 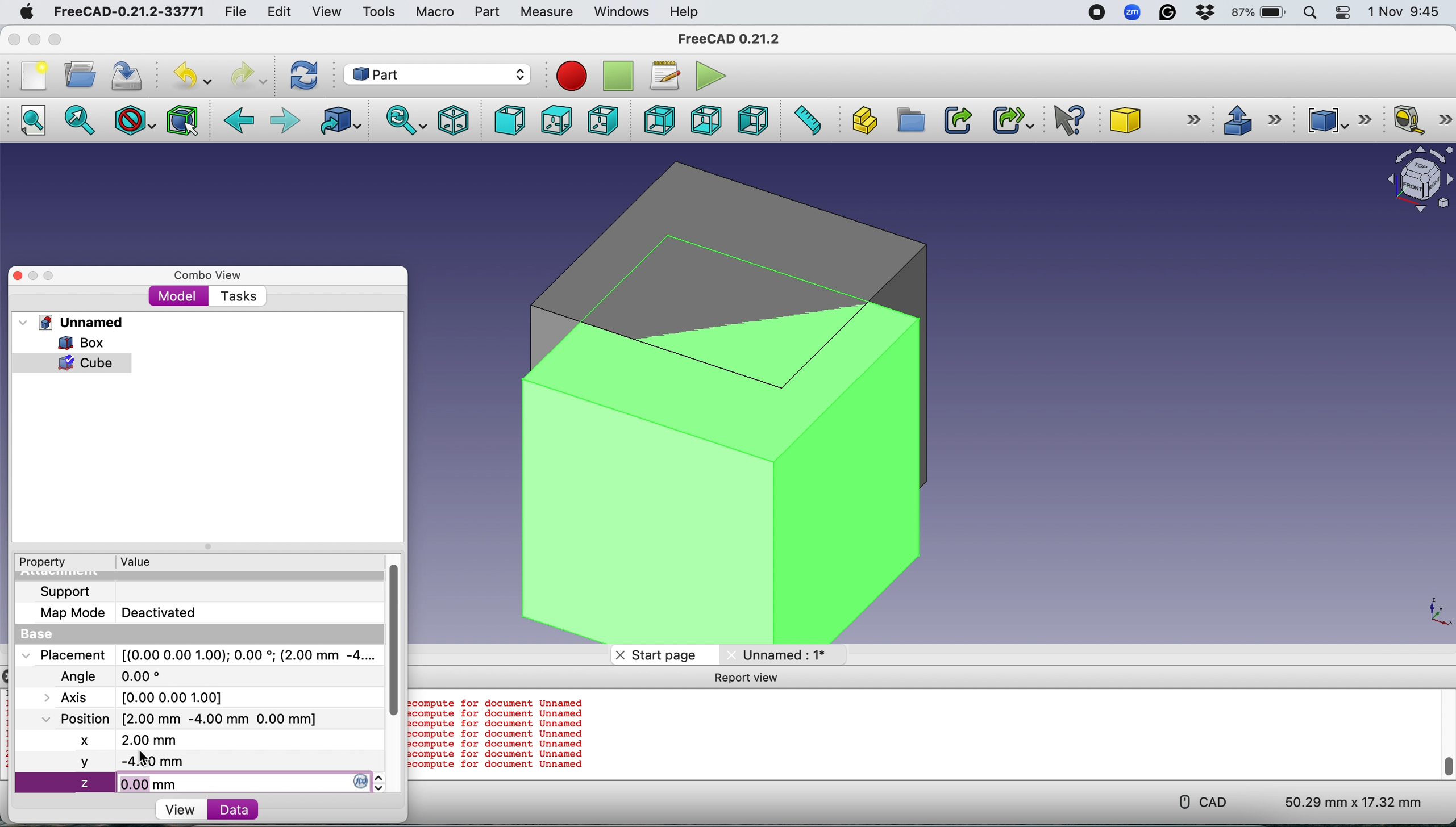 I want to click on Edit, so click(x=277, y=12).